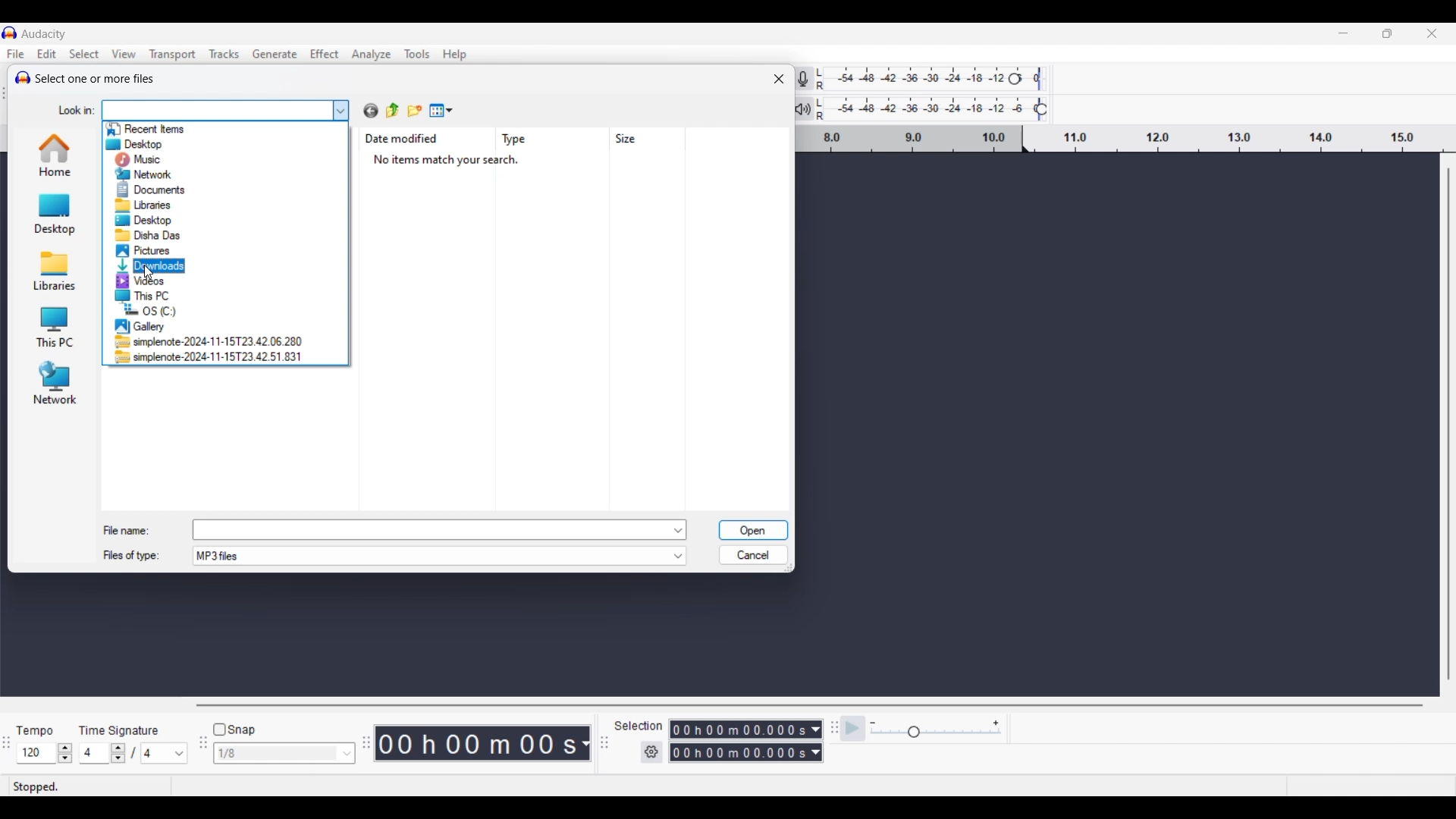 The image size is (1456, 819). Describe the element at coordinates (455, 161) in the screenshot. I see `No items match your search.` at that location.